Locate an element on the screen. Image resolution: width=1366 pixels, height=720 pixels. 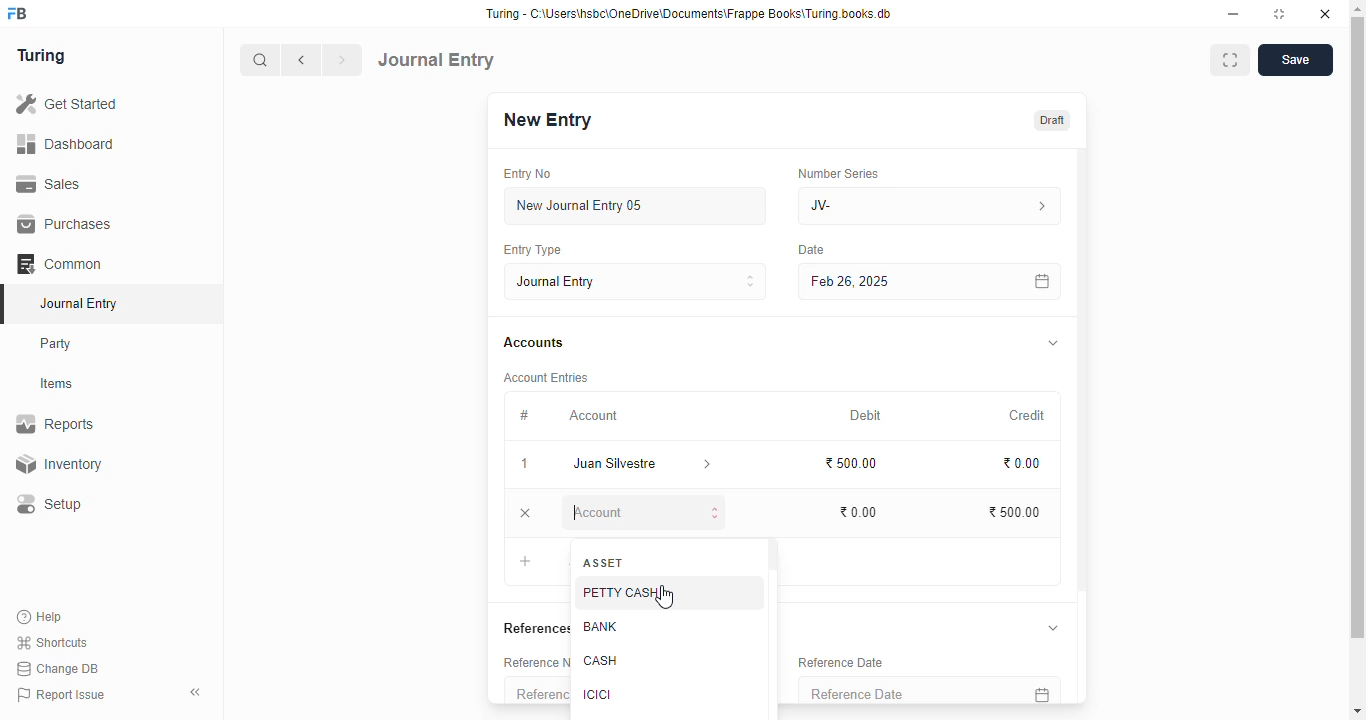
calendar icon is located at coordinates (1044, 282).